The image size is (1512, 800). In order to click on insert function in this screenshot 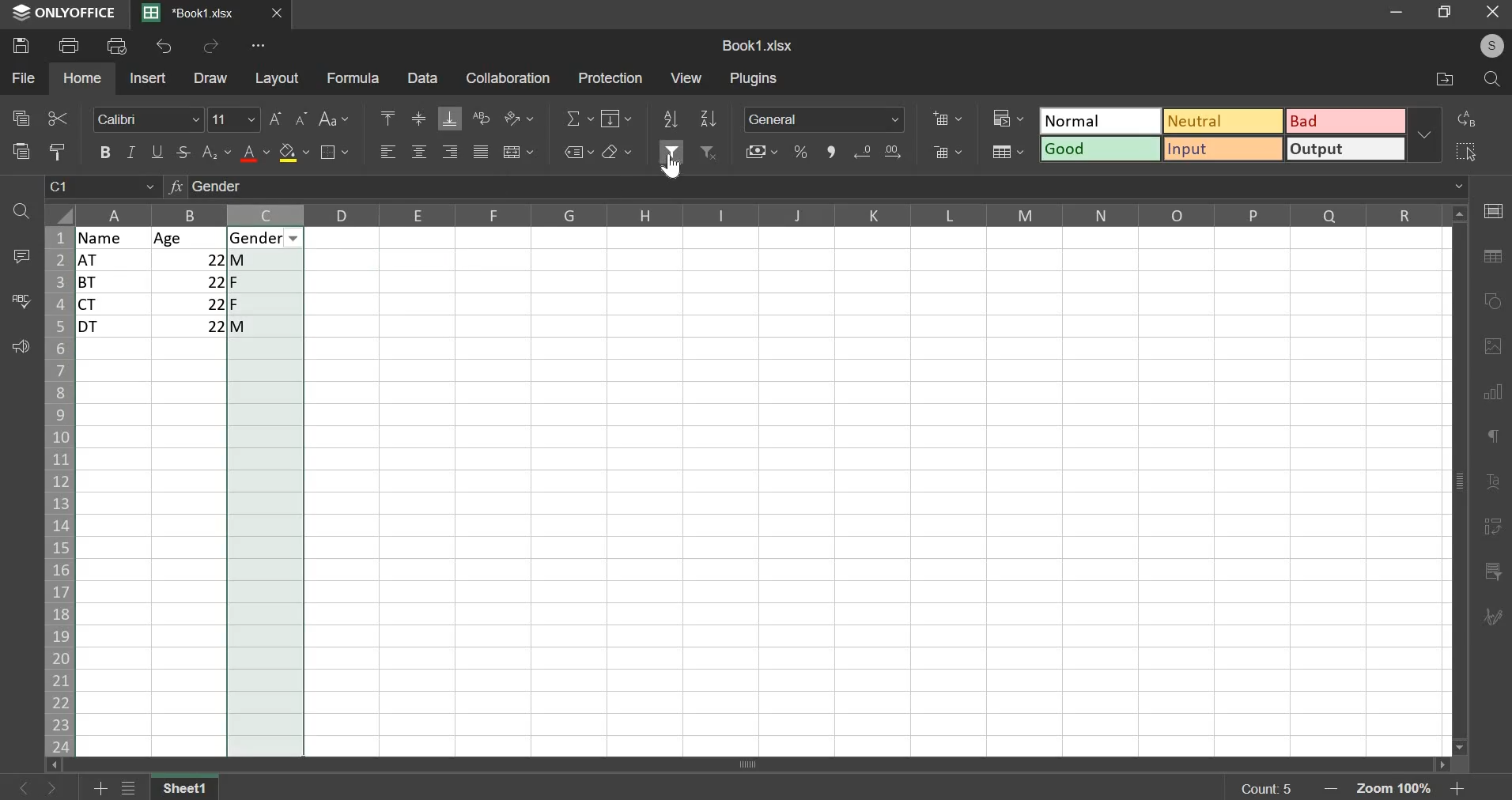, I will do `click(816, 189)`.